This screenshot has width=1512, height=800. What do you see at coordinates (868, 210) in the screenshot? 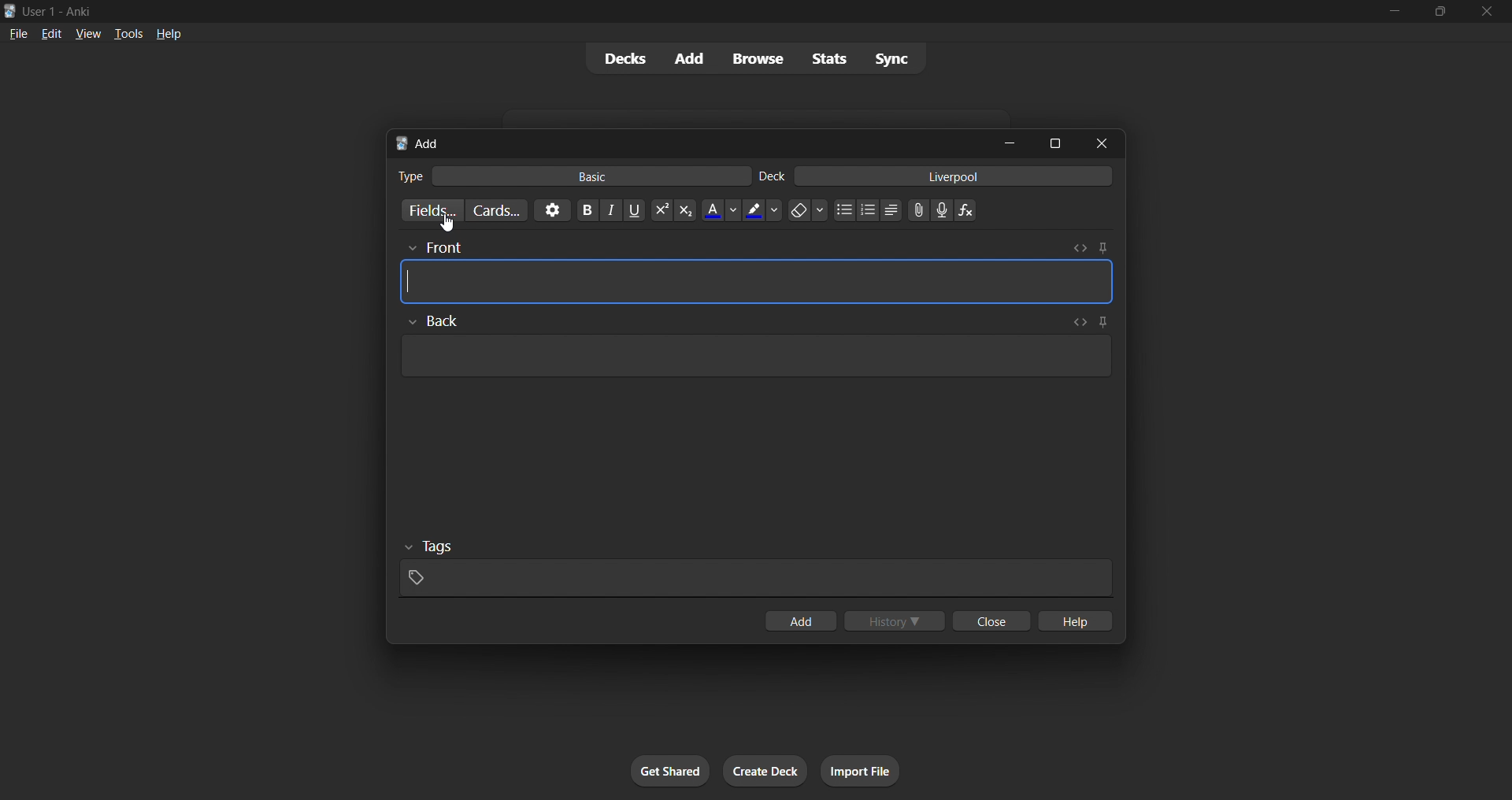
I see `Ordered list` at bounding box center [868, 210].